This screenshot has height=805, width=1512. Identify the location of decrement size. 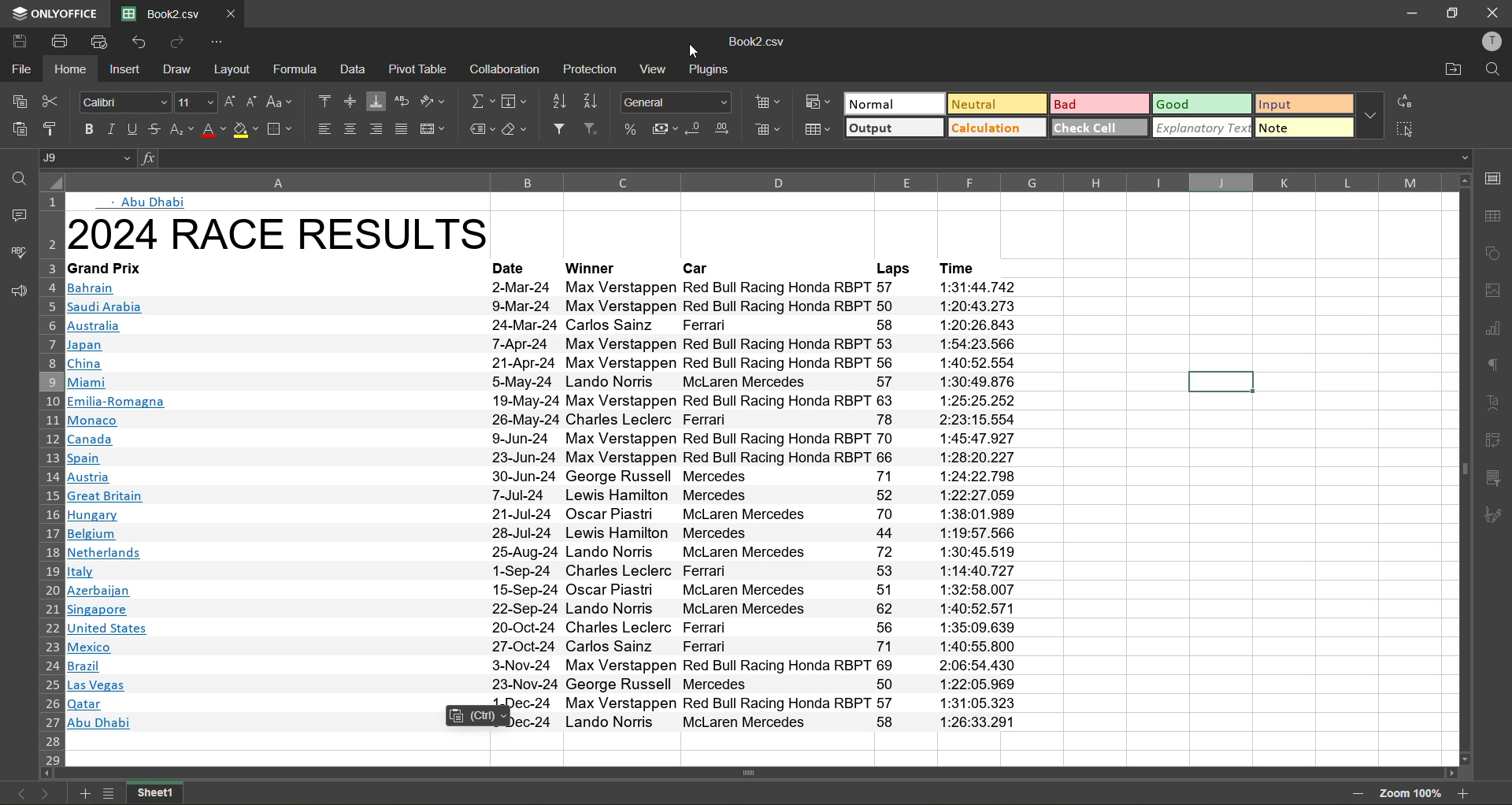
(254, 99).